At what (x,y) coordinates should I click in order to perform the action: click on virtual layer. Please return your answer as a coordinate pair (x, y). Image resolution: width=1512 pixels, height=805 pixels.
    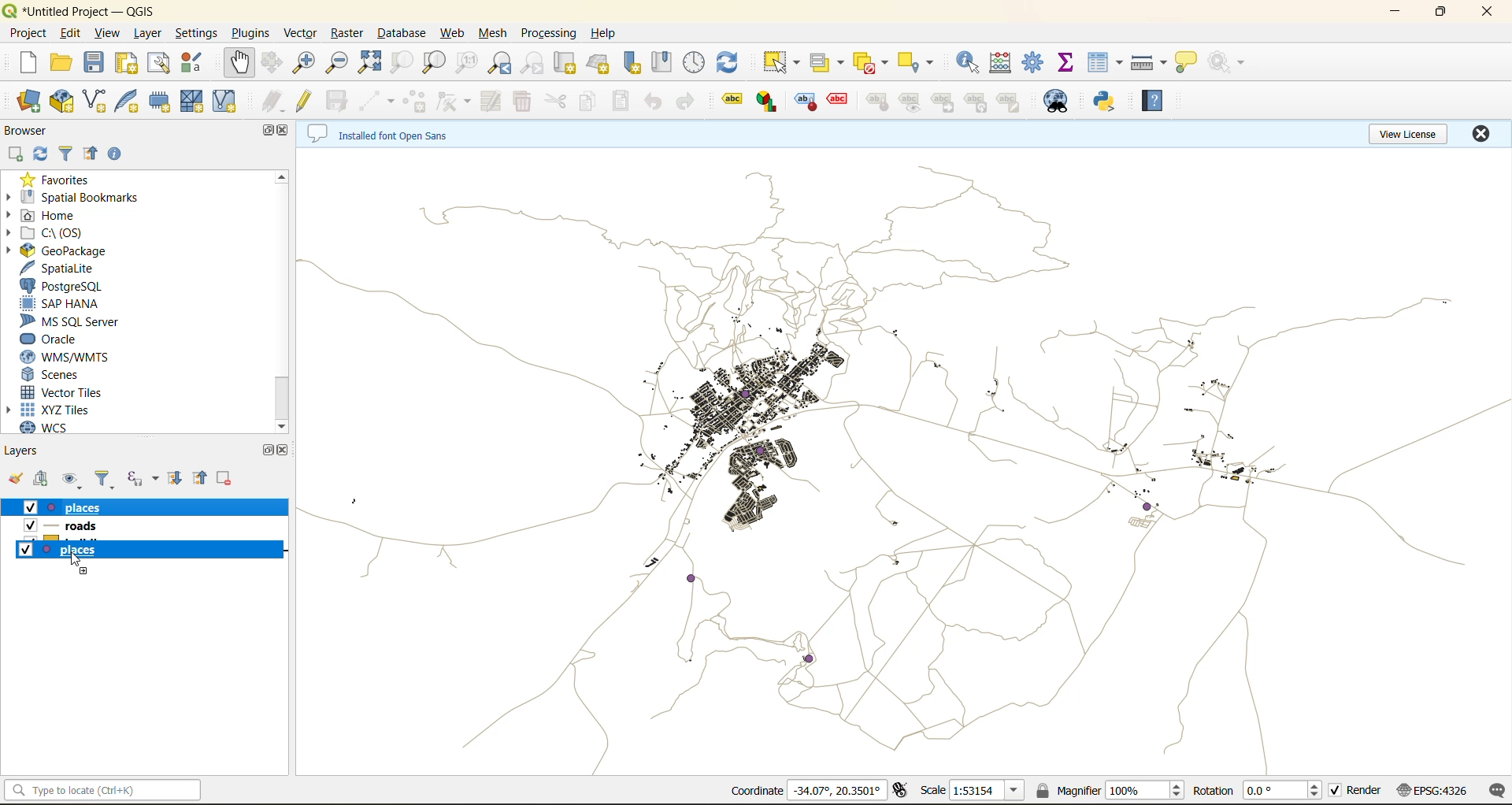
    Looking at the image, I should click on (232, 102).